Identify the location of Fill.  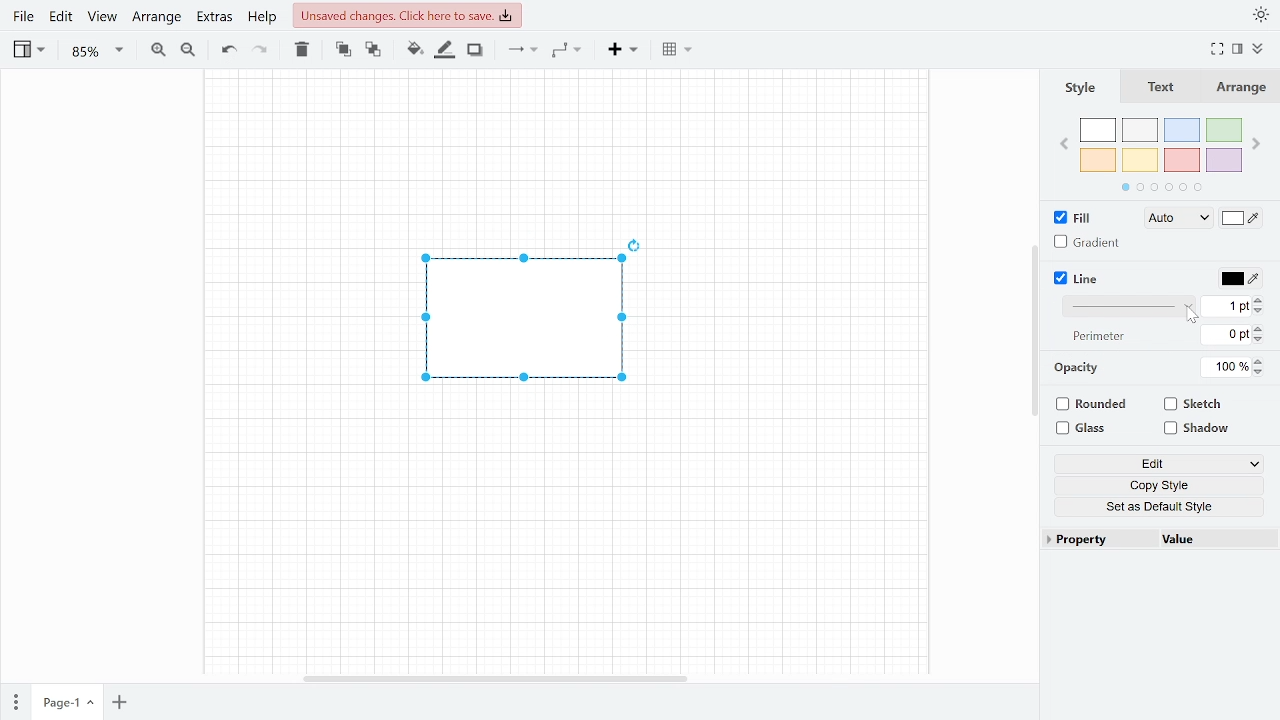
(1074, 216).